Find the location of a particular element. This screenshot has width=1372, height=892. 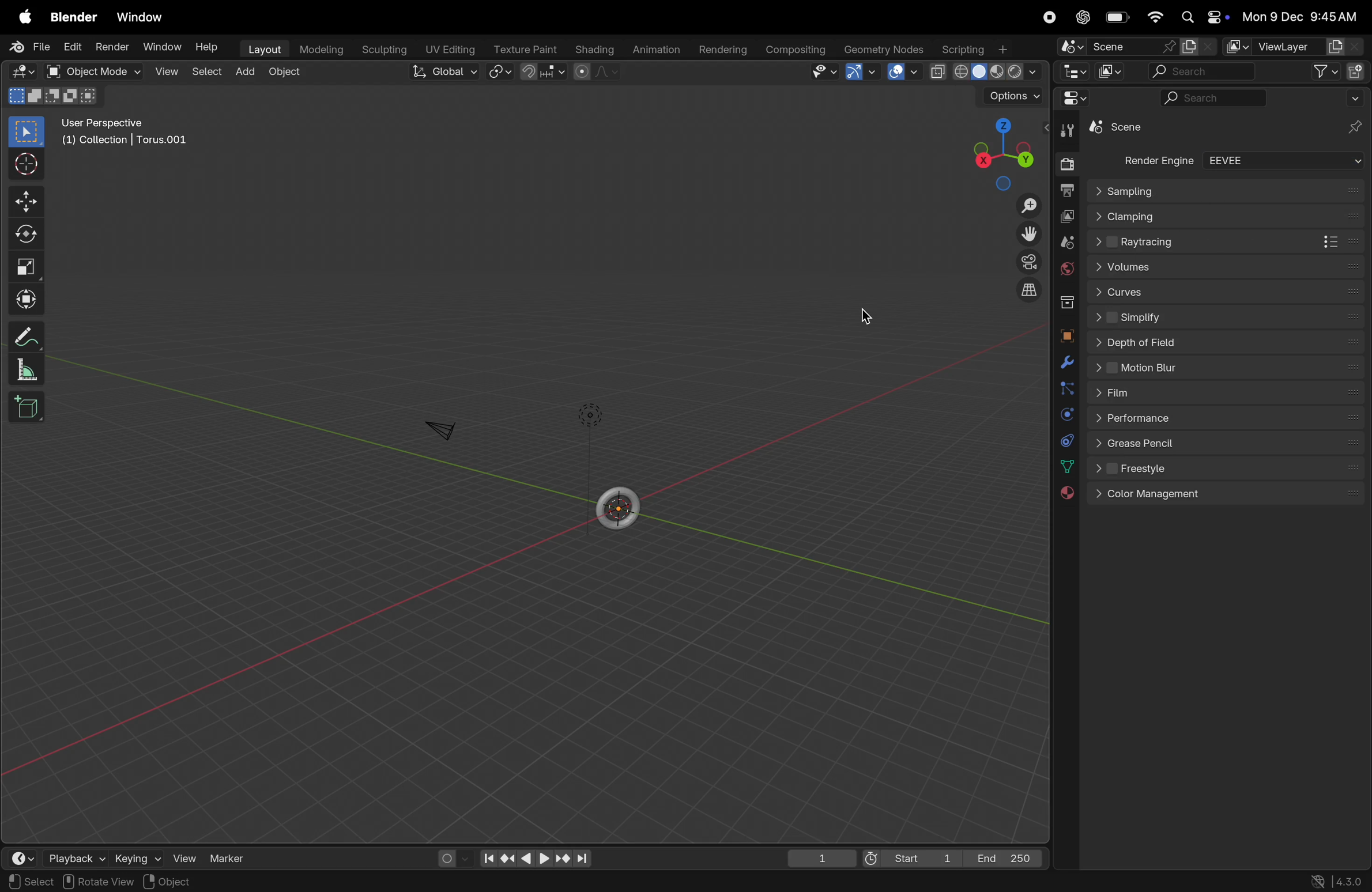

user perspective is located at coordinates (128, 130).